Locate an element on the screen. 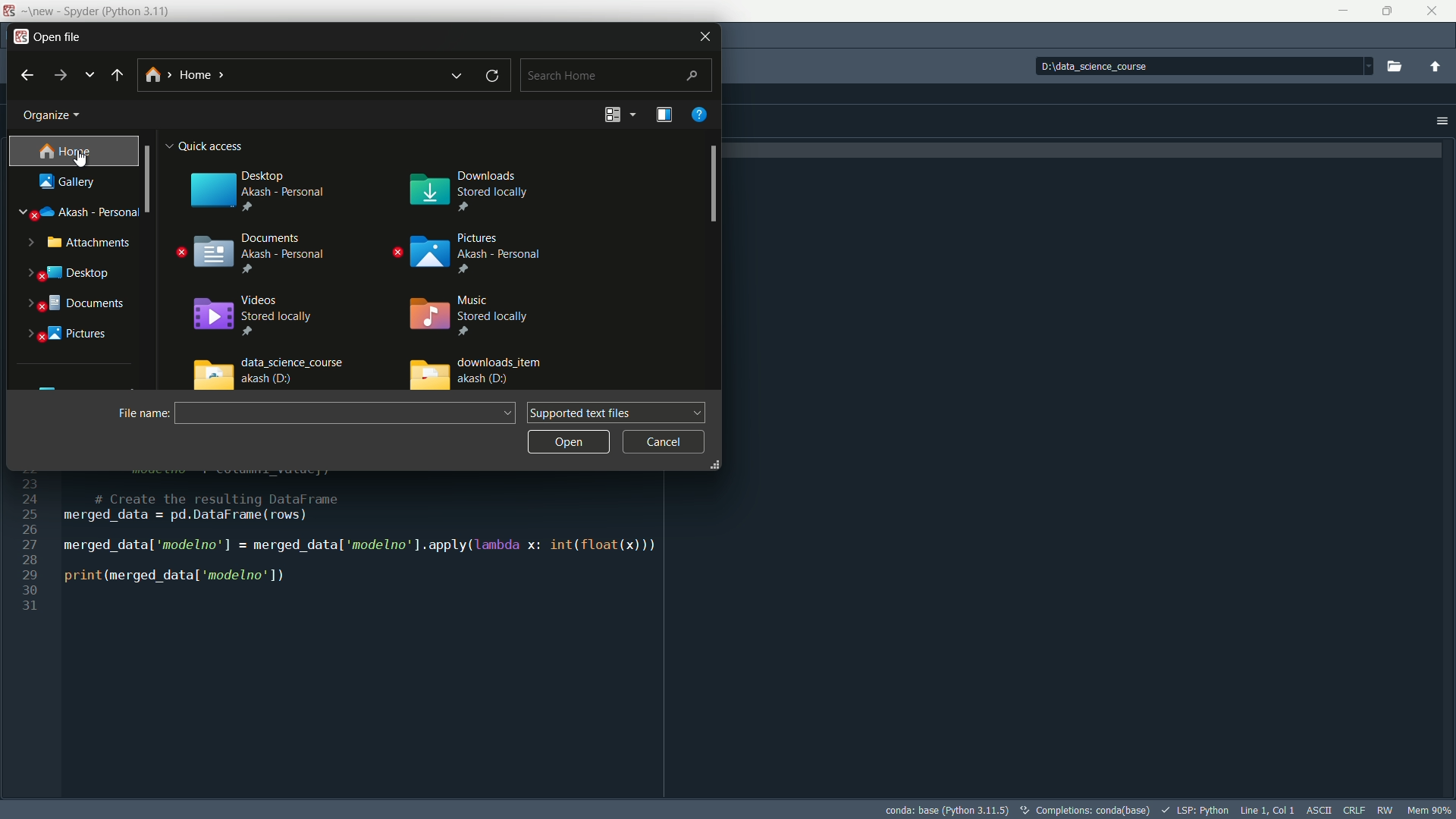 This screenshot has height=819, width=1456. akash-personal is located at coordinates (89, 212).